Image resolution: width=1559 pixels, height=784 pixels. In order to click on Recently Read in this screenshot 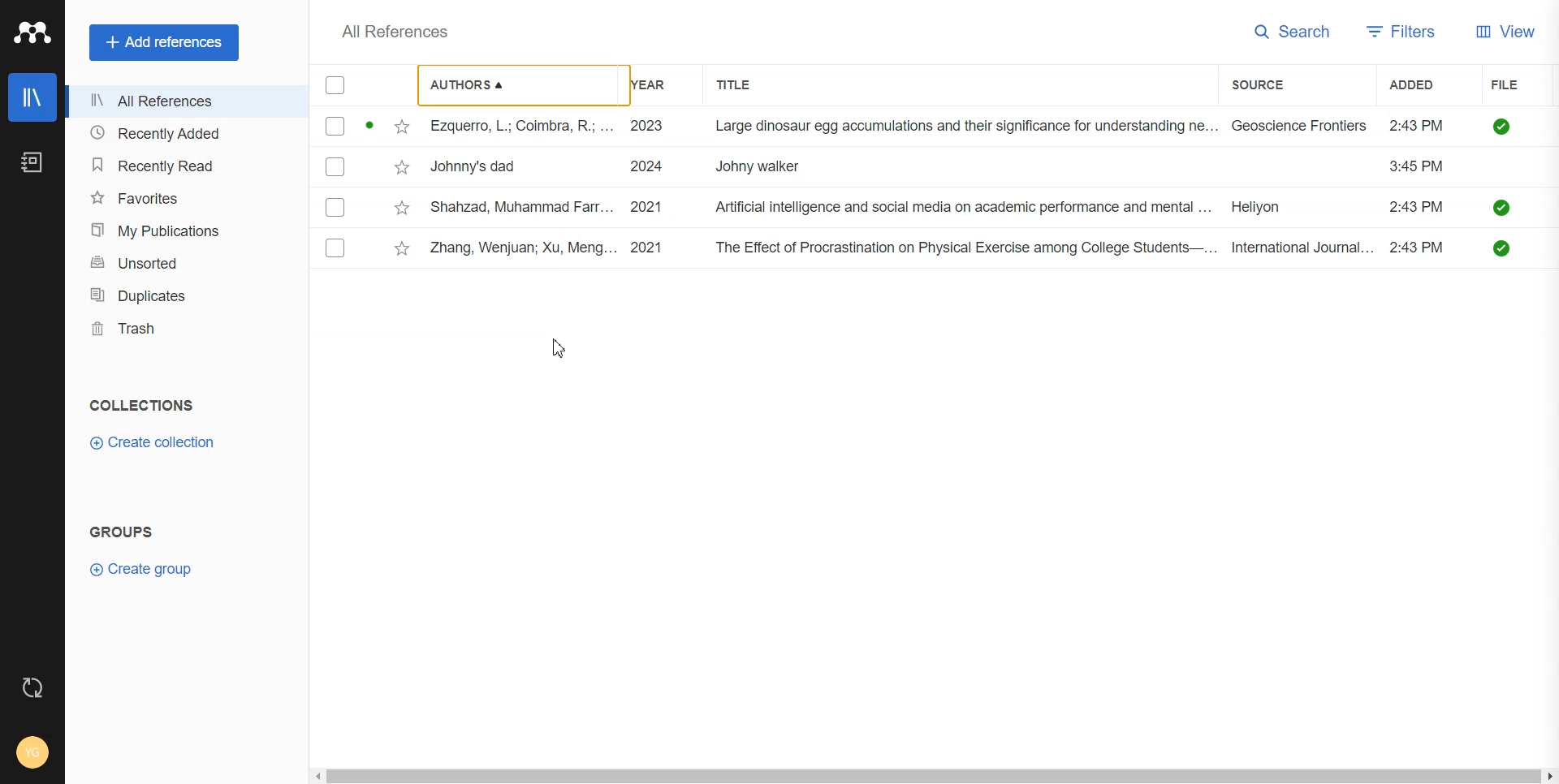, I will do `click(179, 164)`.